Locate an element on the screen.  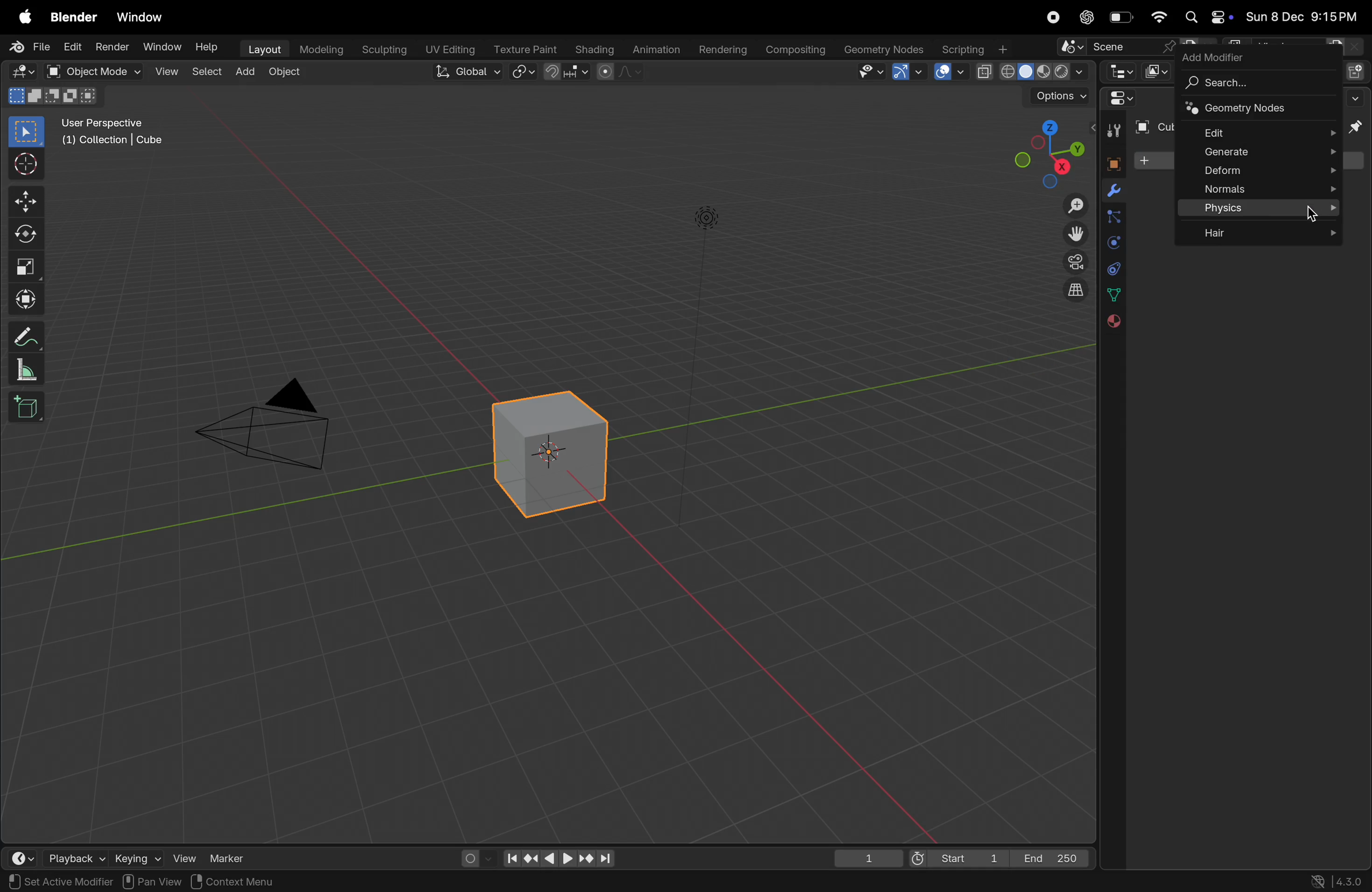
view points is located at coordinates (1047, 152).